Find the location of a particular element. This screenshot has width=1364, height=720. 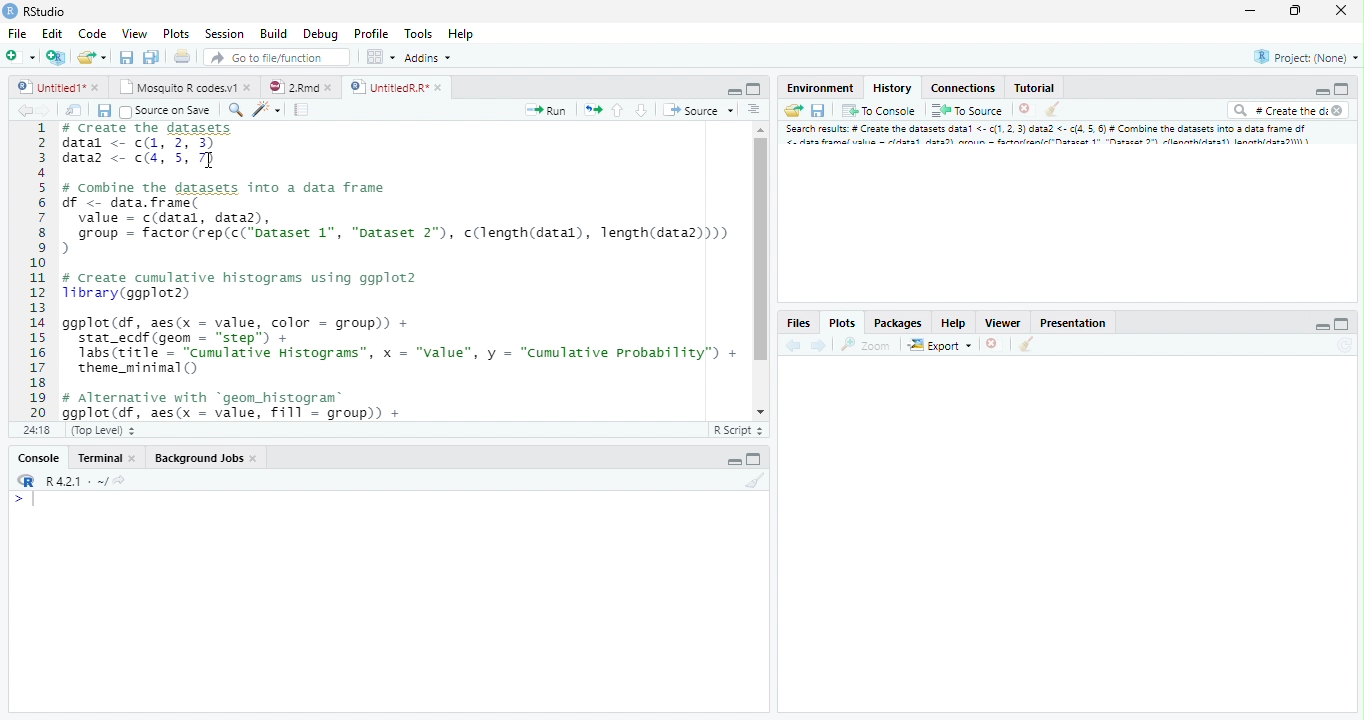

Clear console is located at coordinates (1029, 346).